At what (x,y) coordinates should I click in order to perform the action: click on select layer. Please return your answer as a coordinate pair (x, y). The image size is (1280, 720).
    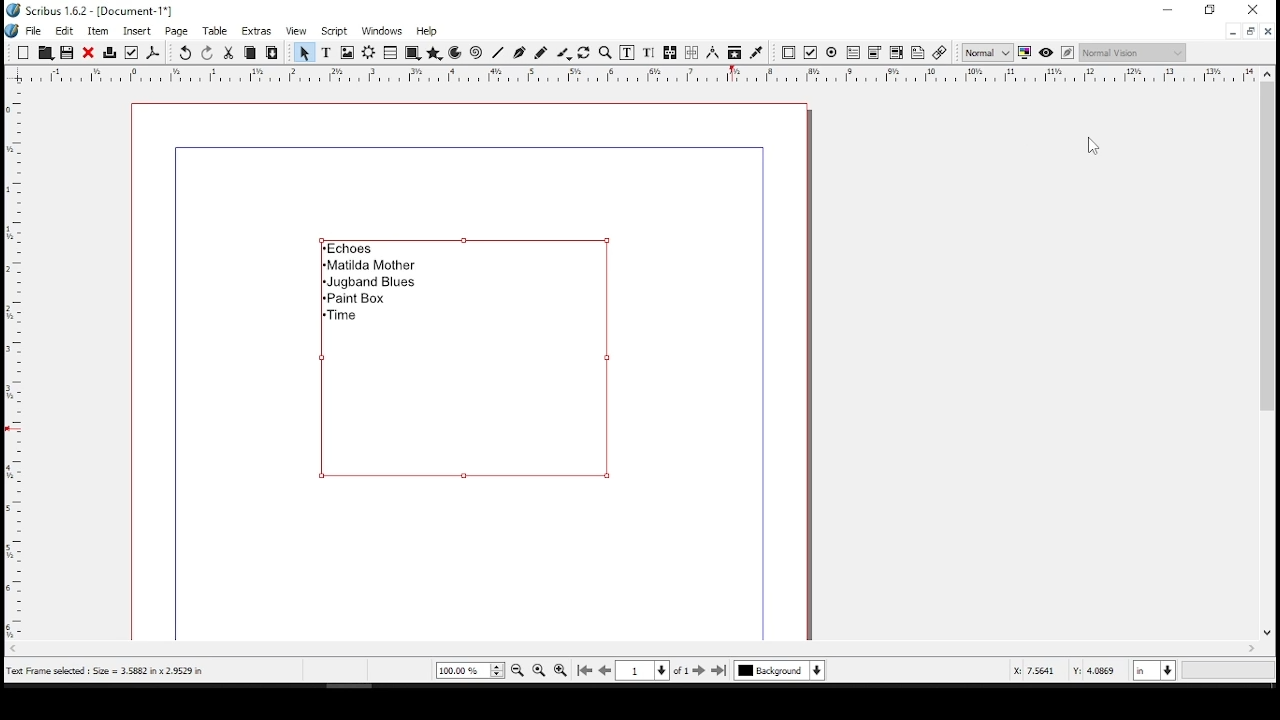
    Looking at the image, I should click on (780, 670).